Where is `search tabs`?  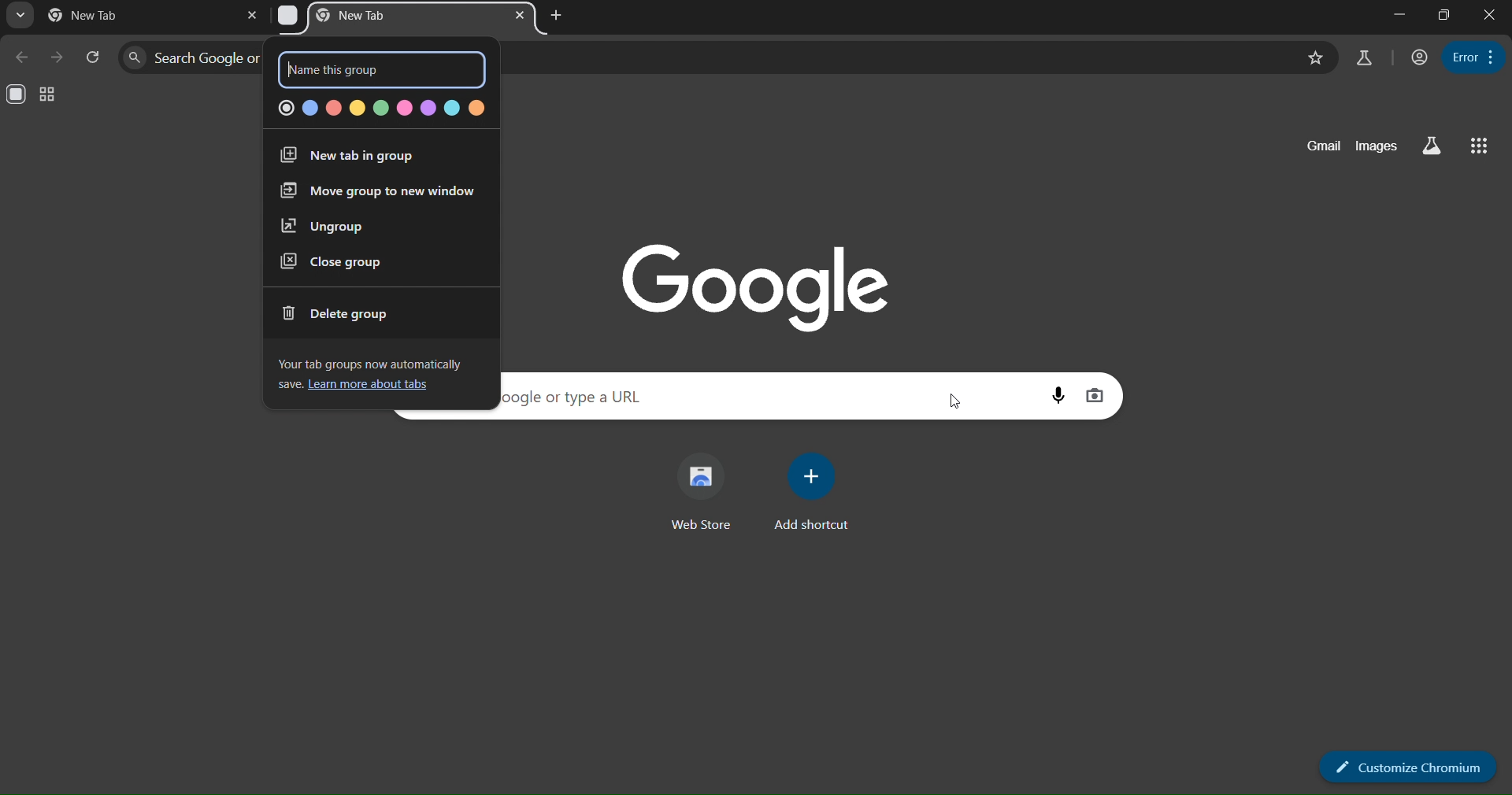
search tabs is located at coordinates (24, 17).